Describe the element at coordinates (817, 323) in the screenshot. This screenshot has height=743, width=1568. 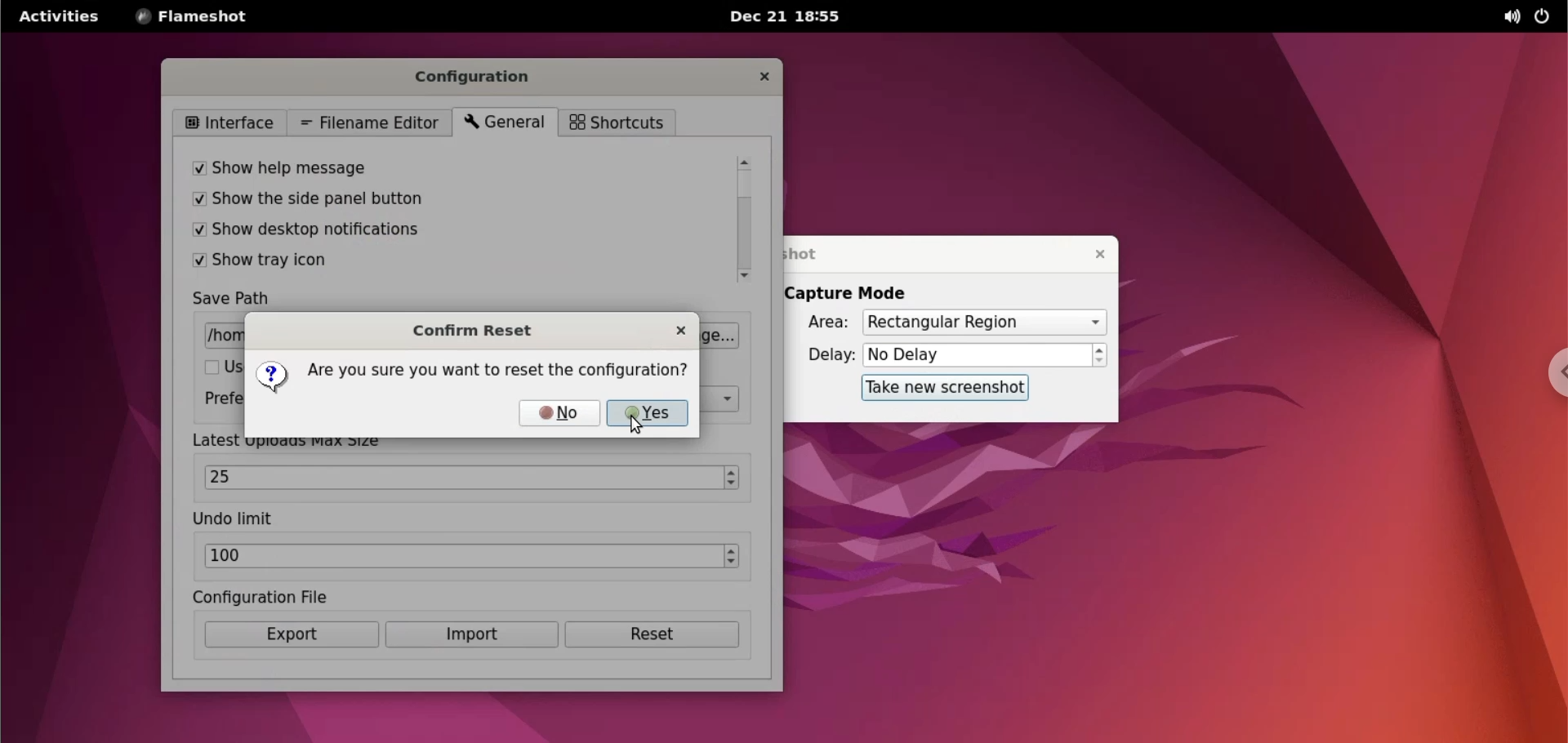
I see `area` at that location.